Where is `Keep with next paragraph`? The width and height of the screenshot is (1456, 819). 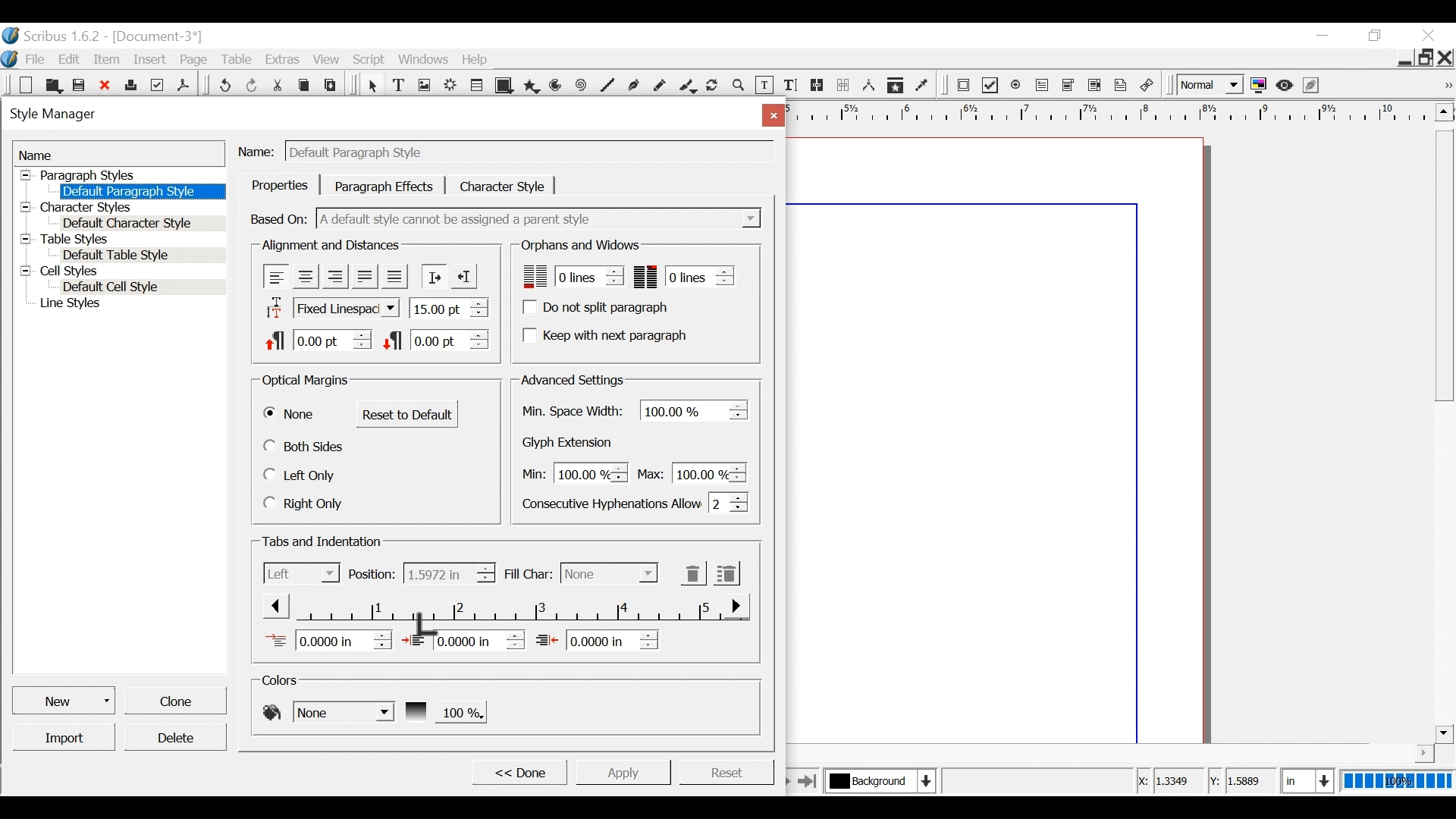
Keep with next paragraph is located at coordinates (603, 334).